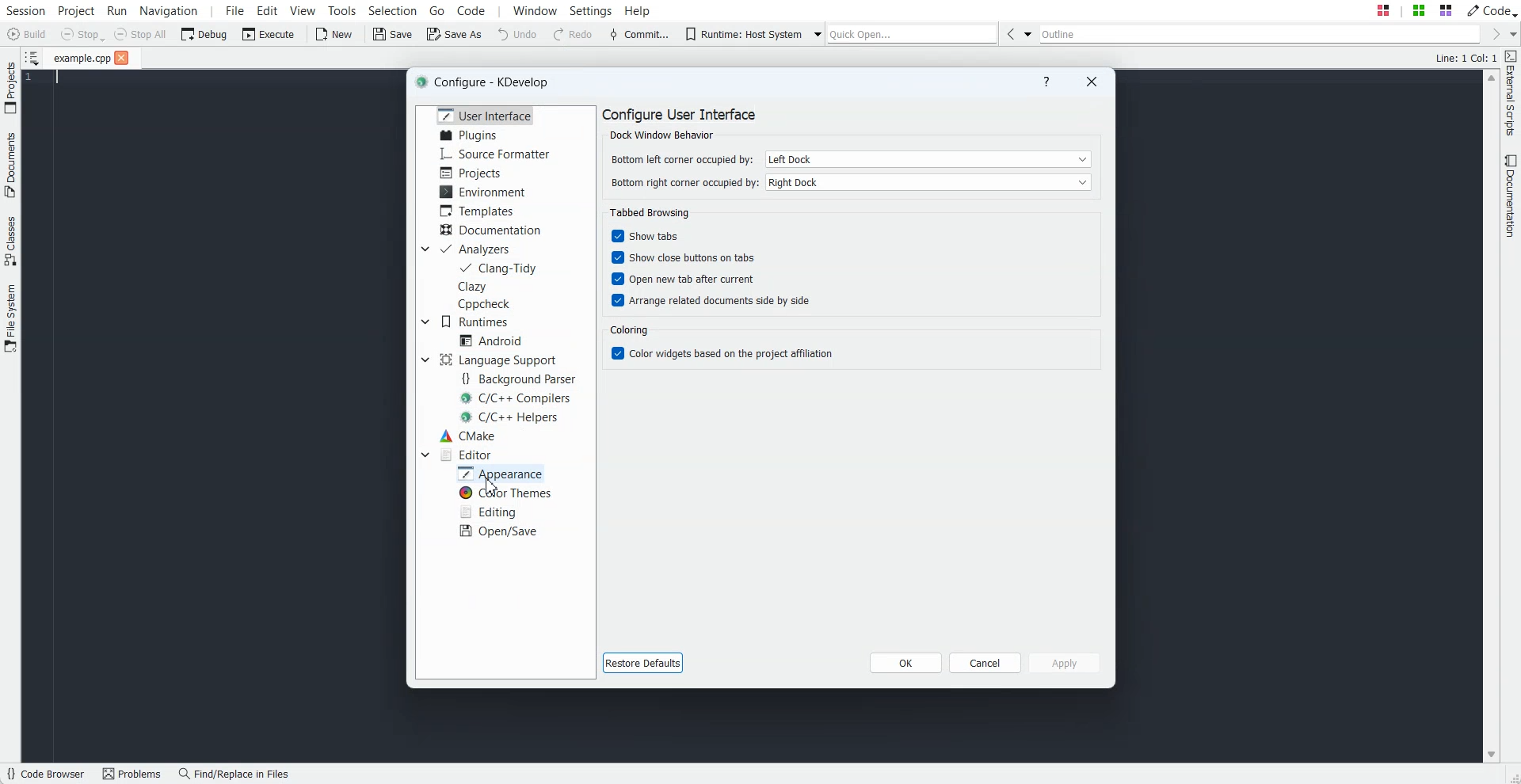 The width and height of the screenshot is (1521, 784). I want to click on Go Forward, so click(1491, 33).